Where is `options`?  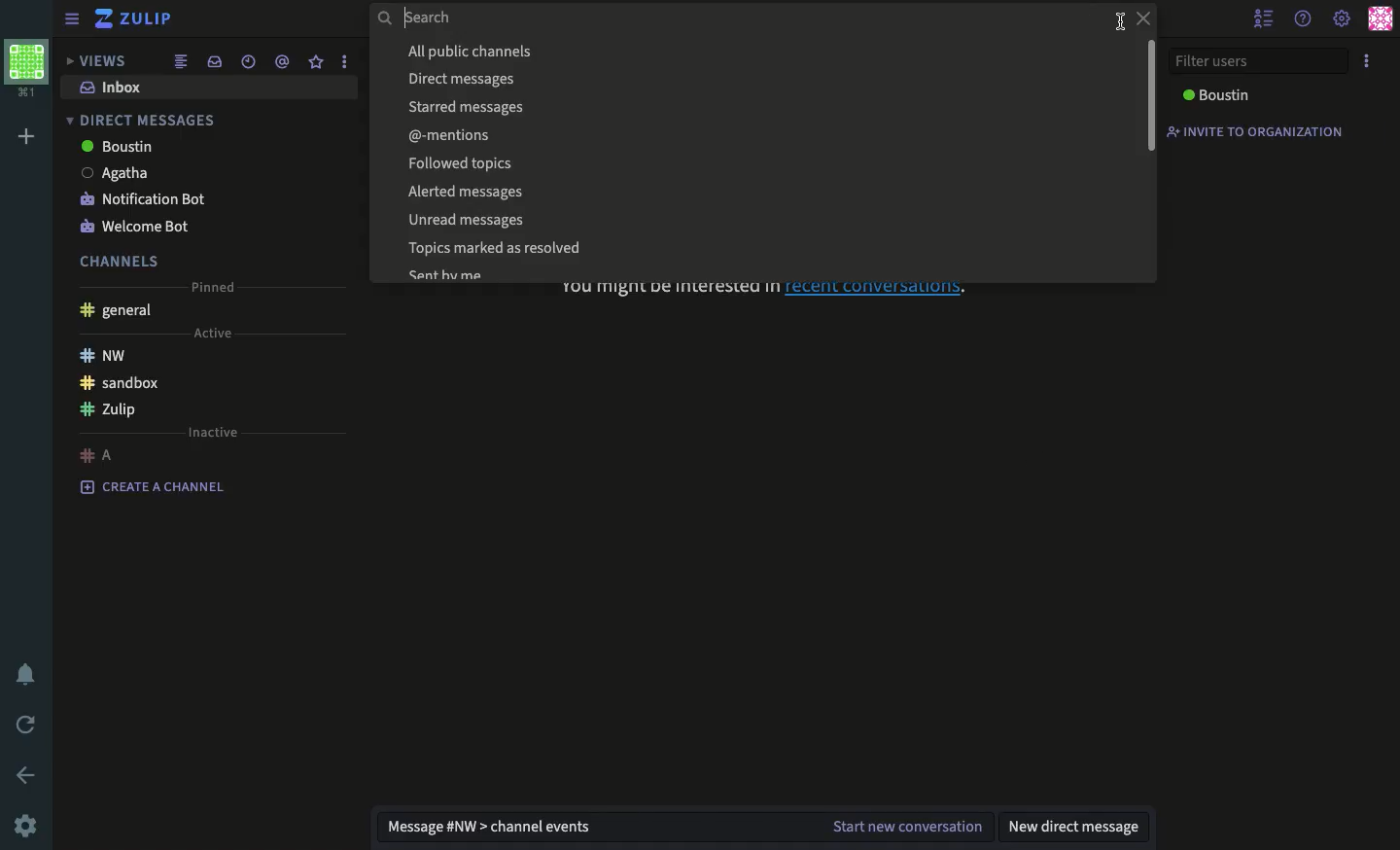
options is located at coordinates (1369, 62).